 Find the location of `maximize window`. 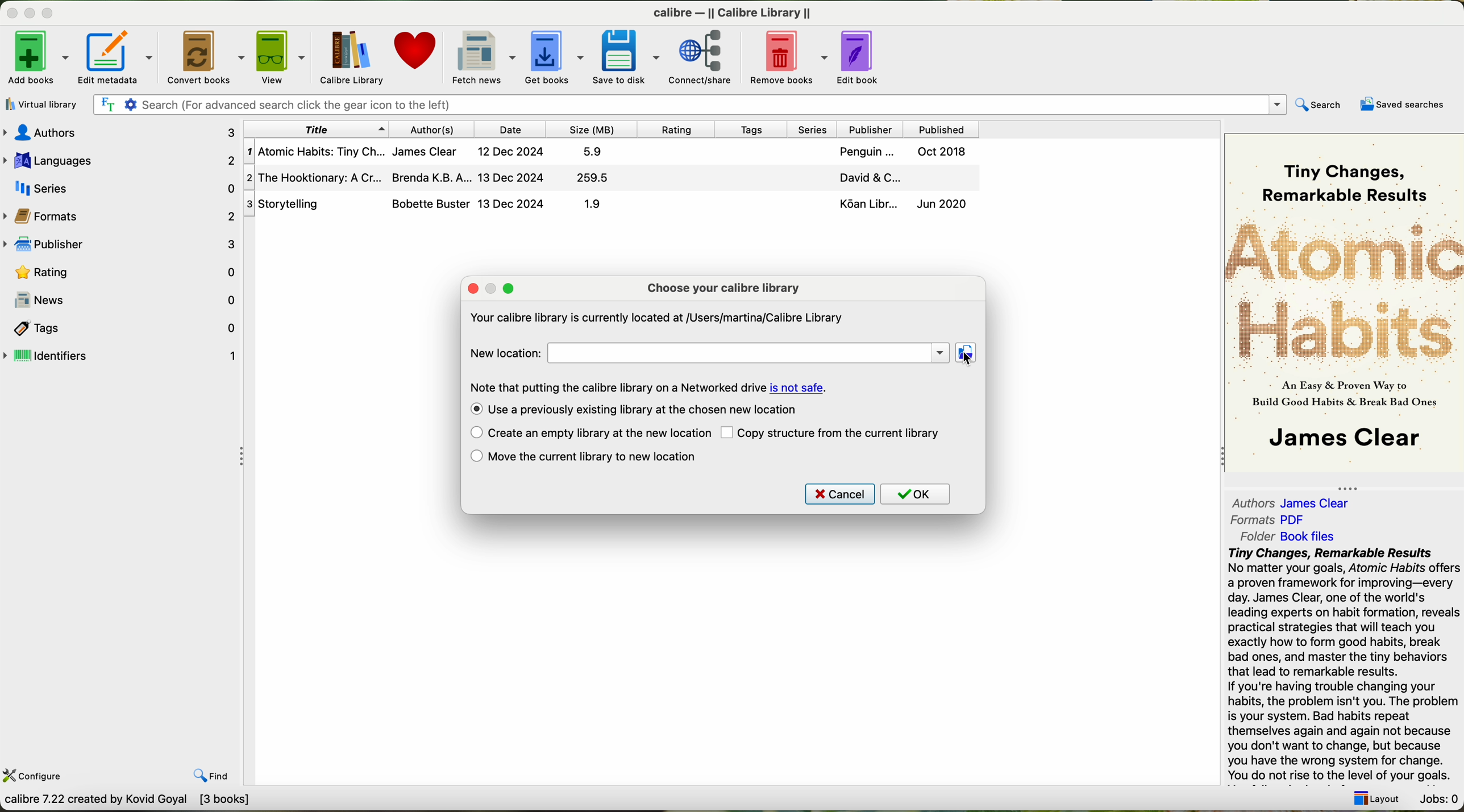

maximize window is located at coordinates (510, 288).